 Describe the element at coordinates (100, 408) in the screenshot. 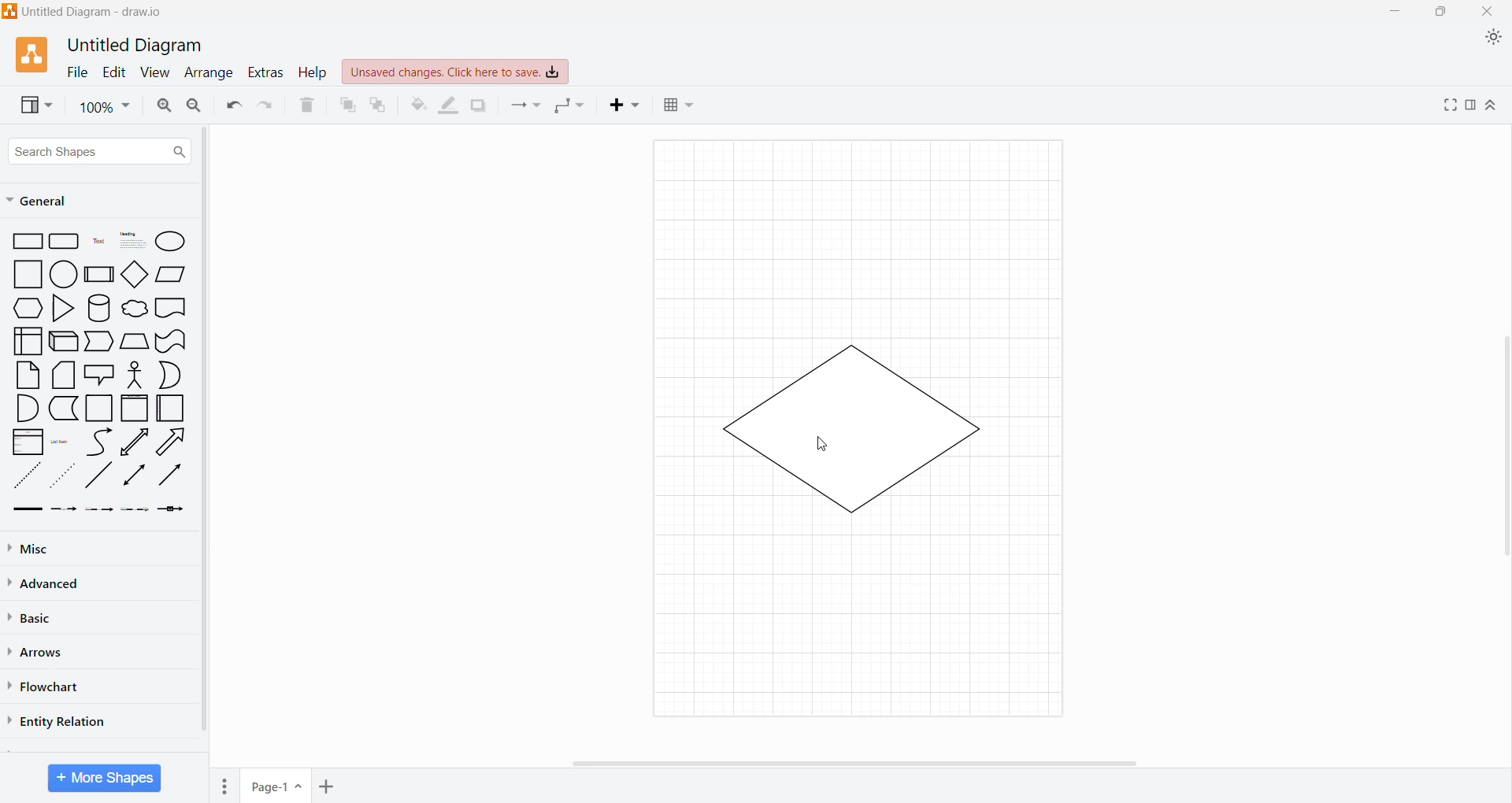

I see `Container` at that location.